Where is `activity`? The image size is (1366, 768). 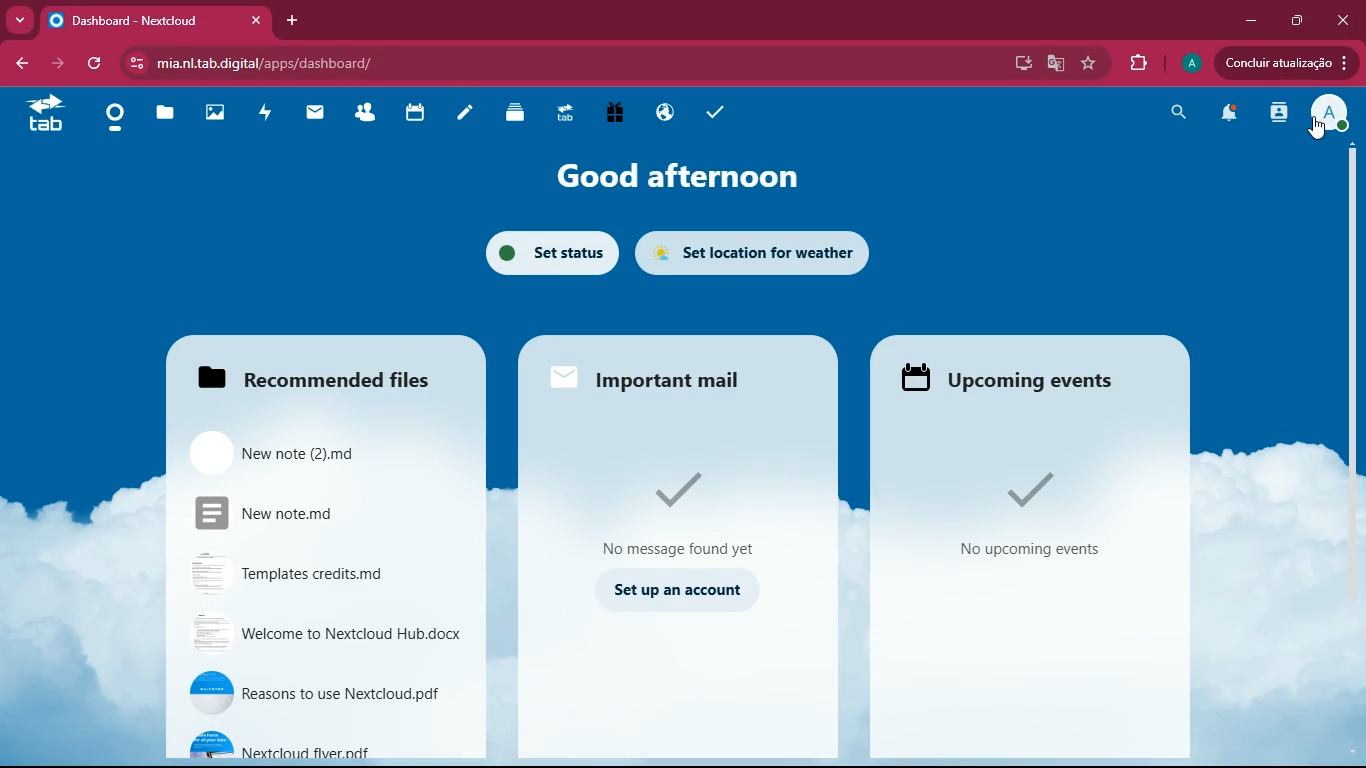 activity is located at coordinates (266, 113).